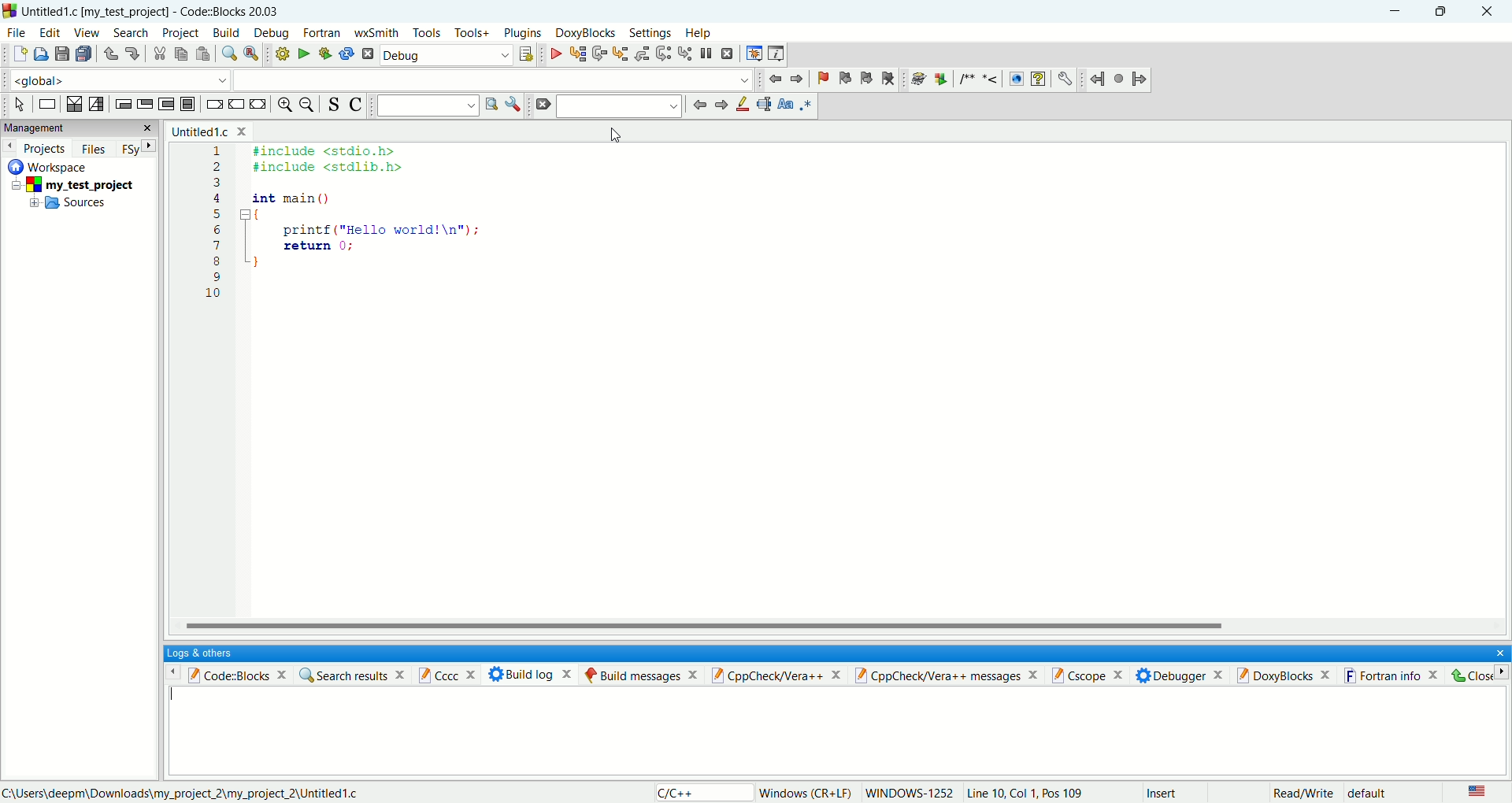 The height and width of the screenshot is (803, 1512). I want to click on line numbers, so click(216, 231).